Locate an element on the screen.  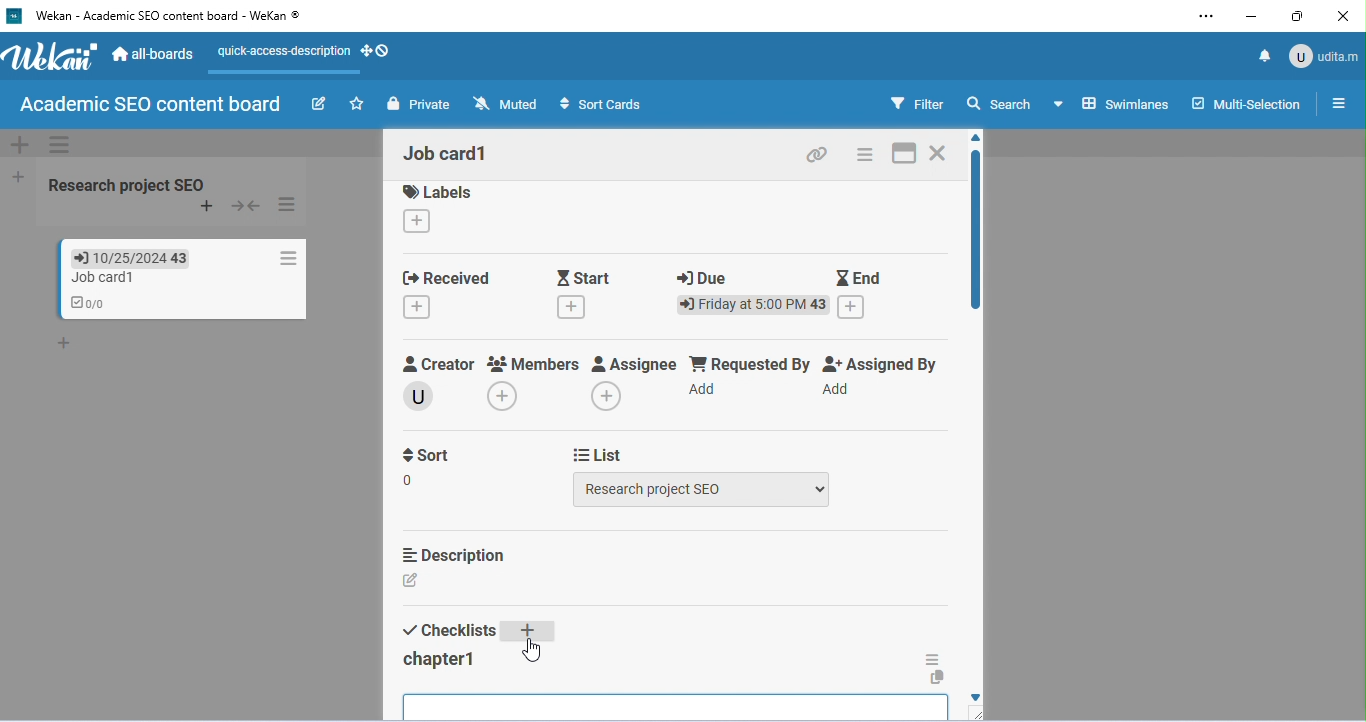
sort is located at coordinates (429, 465).